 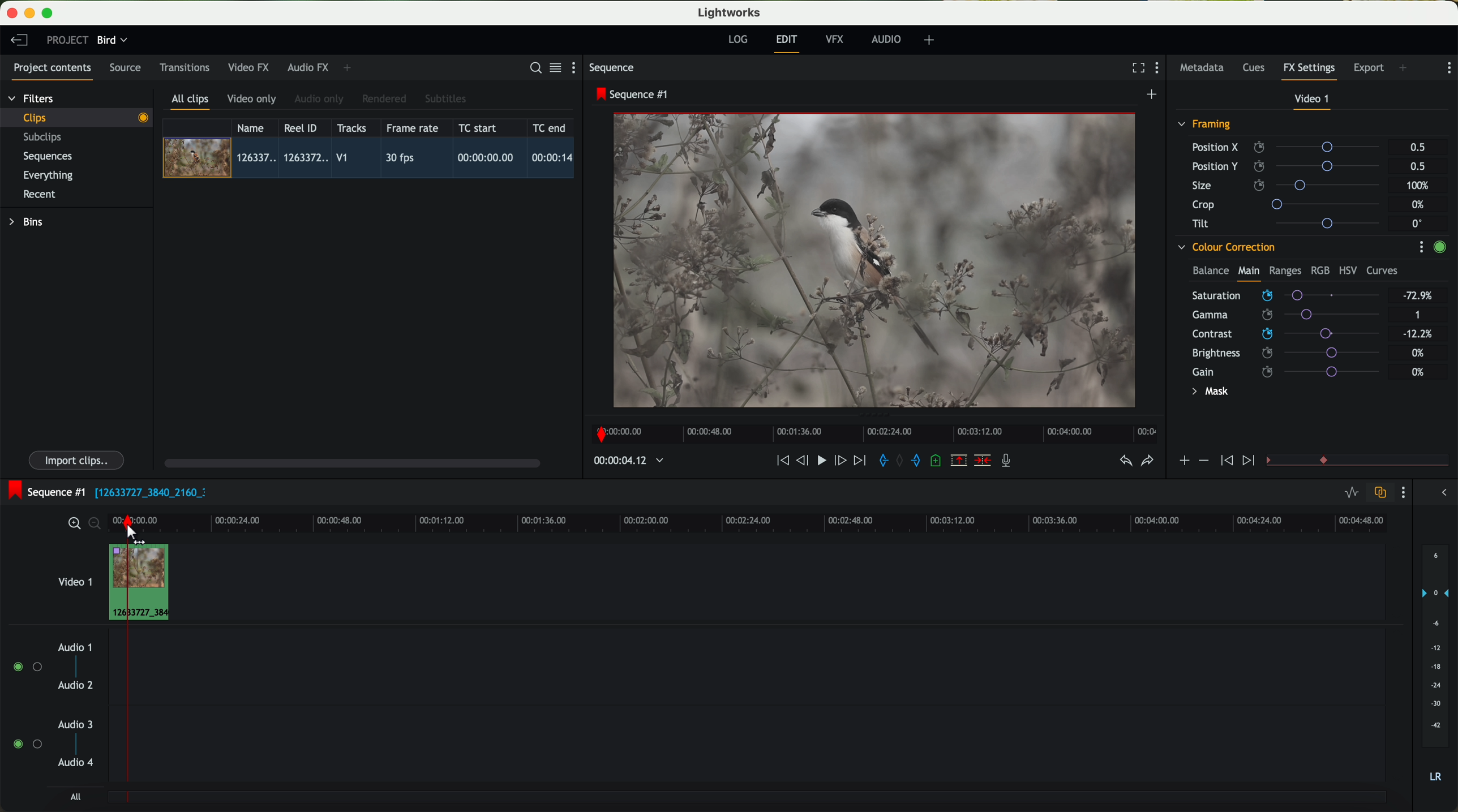 I want to click on tracks, so click(x=350, y=128).